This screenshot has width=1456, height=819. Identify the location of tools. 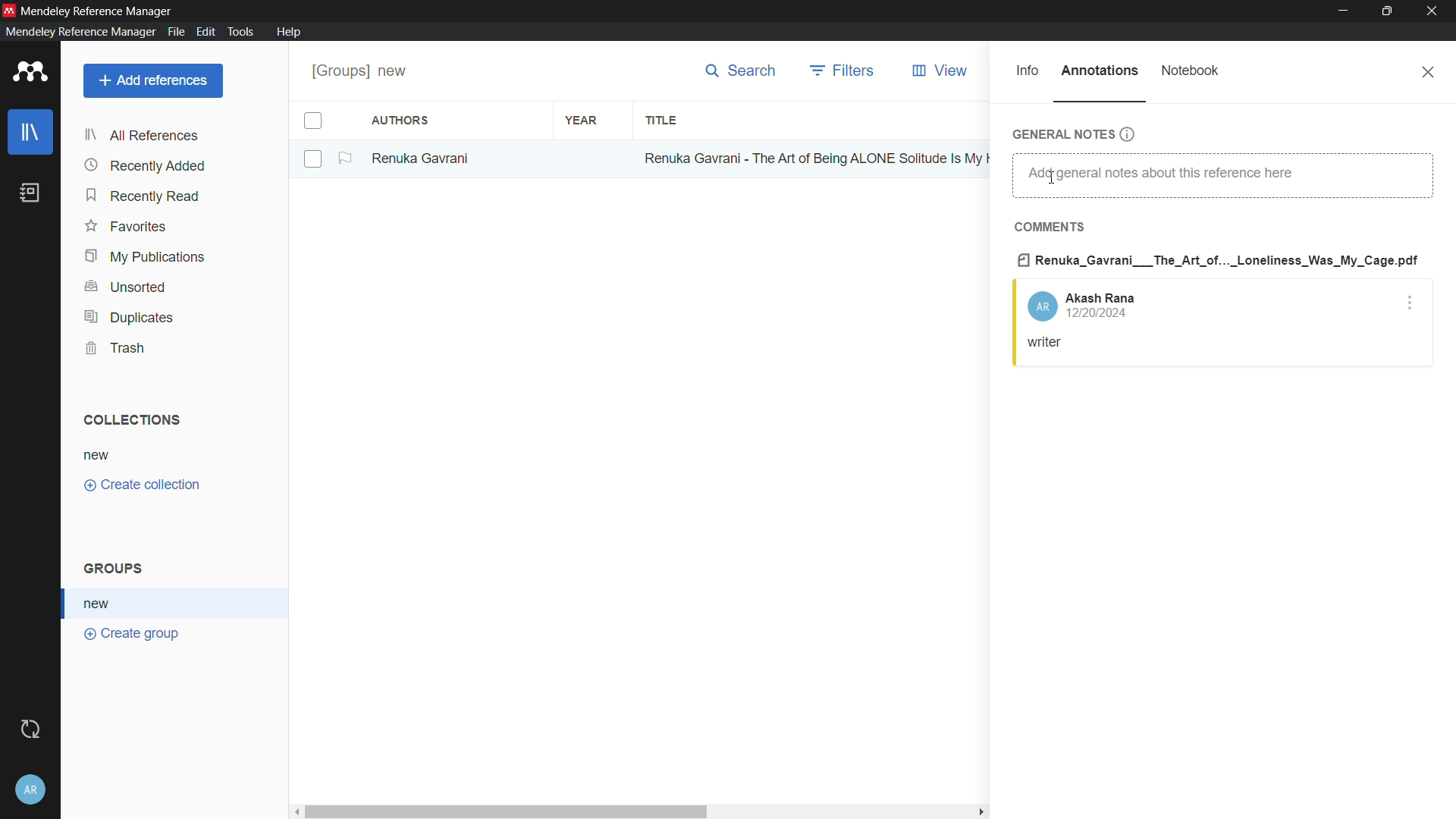
(241, 33).